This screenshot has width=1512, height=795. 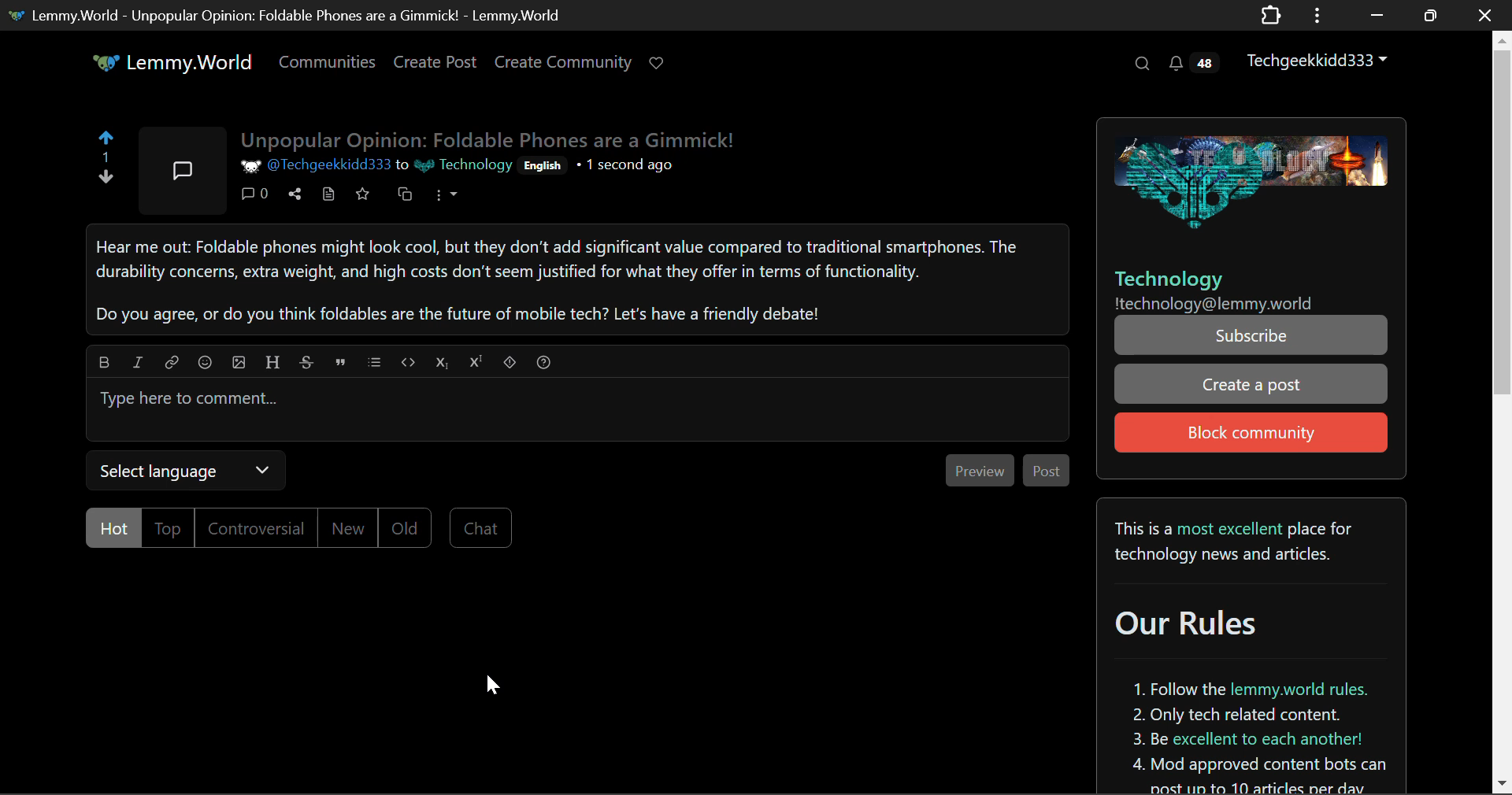 I want to click on Lemmy.World - Unpopular Opinion: Foldable Phones are a Gimmick - Lemmy.World, so click(x=293, y=14).